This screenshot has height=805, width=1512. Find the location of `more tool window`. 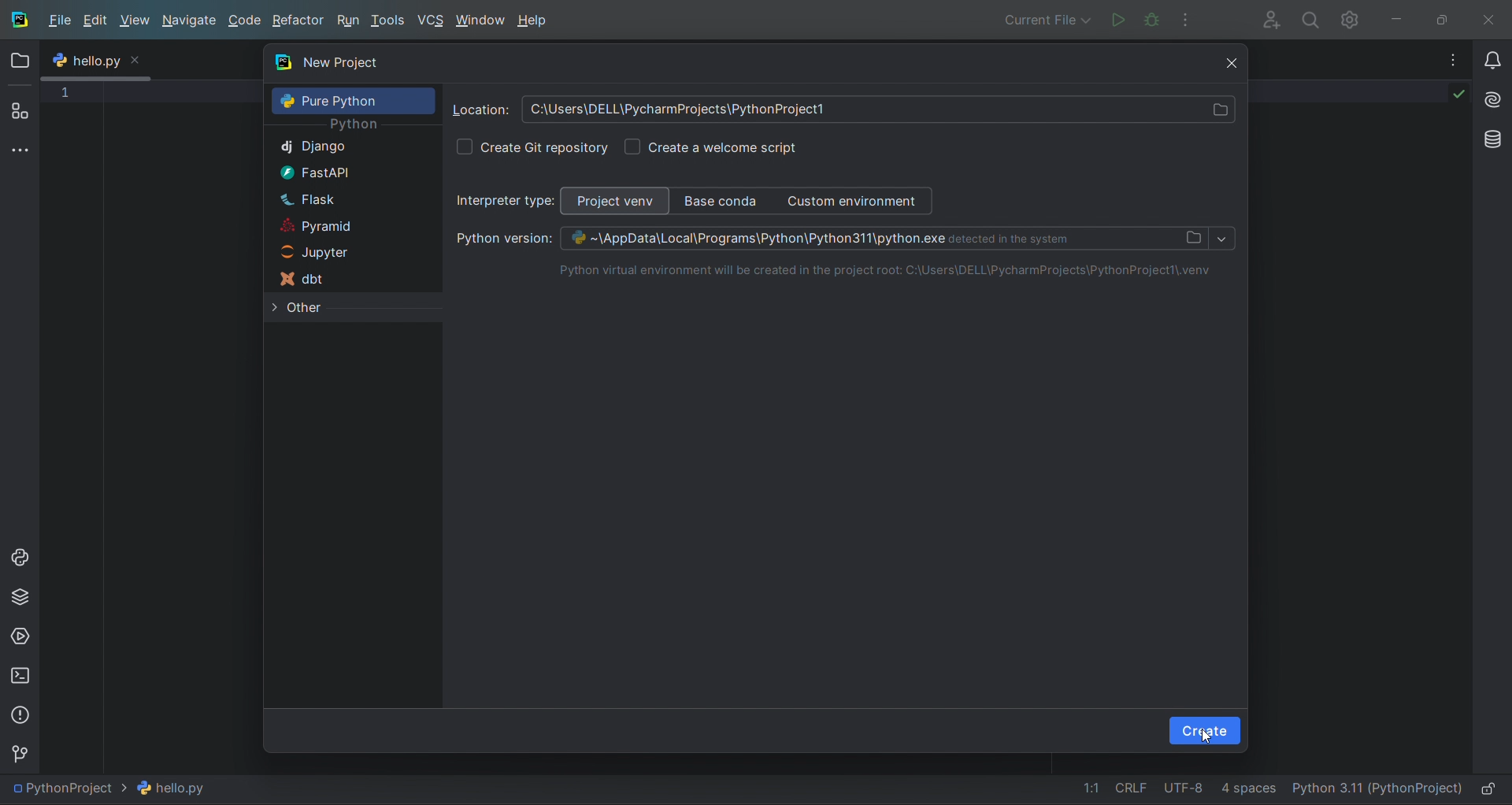

more tool window is located at coordinates (20, 150).